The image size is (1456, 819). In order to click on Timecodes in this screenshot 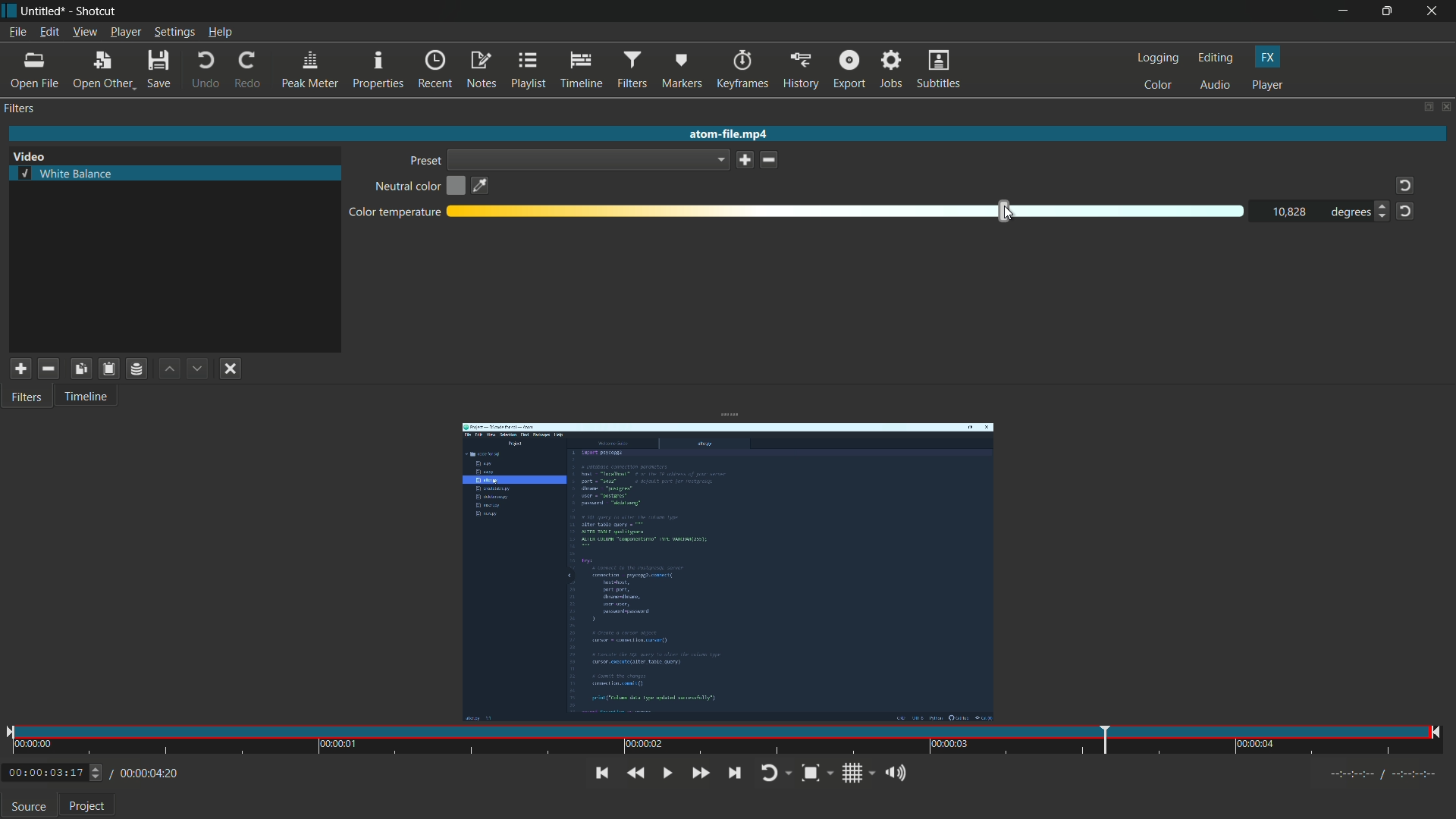, I will do `click(1373, 773)`.